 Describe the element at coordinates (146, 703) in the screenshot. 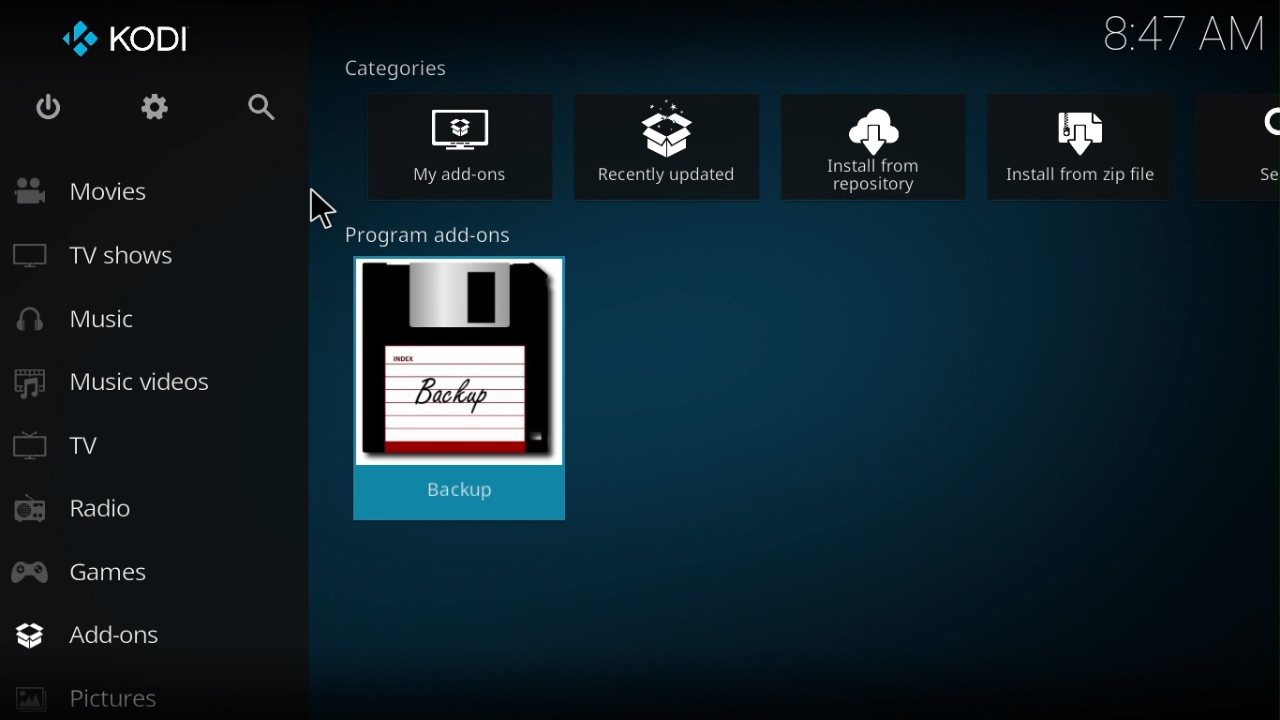

I see `pictures` at that location.